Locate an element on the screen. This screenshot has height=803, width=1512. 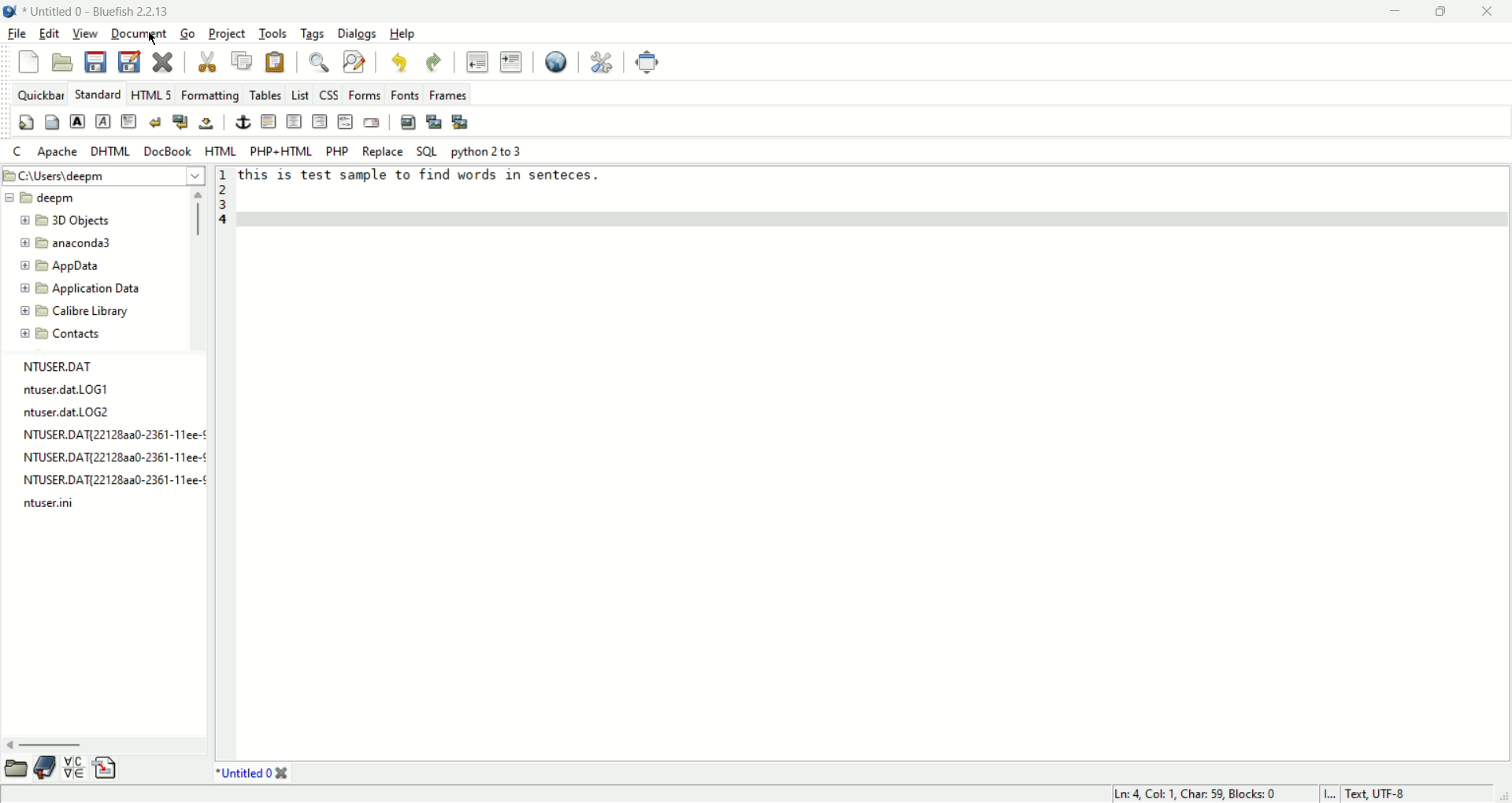
anchor is located at coordinates (243, 121).